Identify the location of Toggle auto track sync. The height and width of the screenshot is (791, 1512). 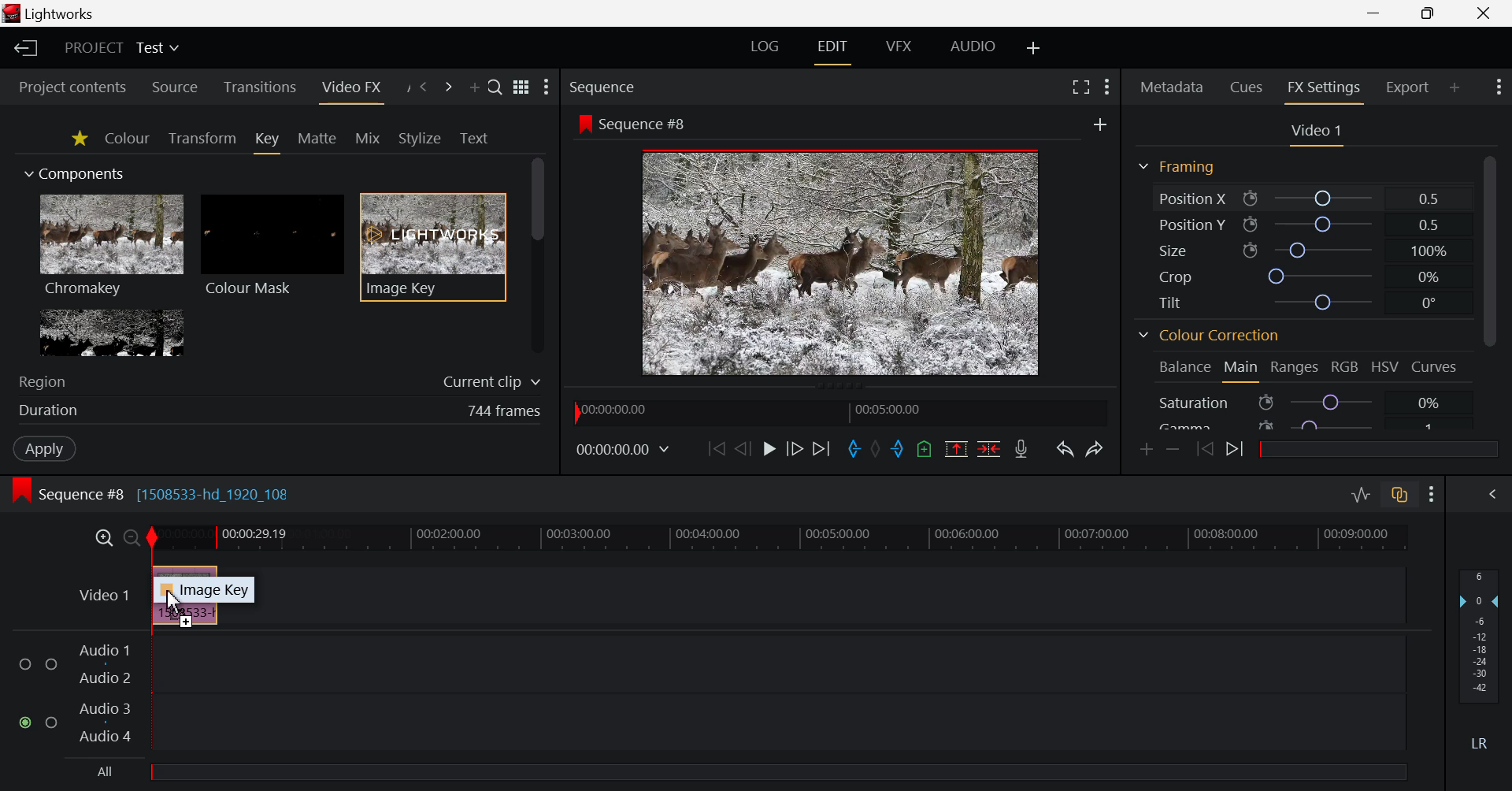
(1400, 496).